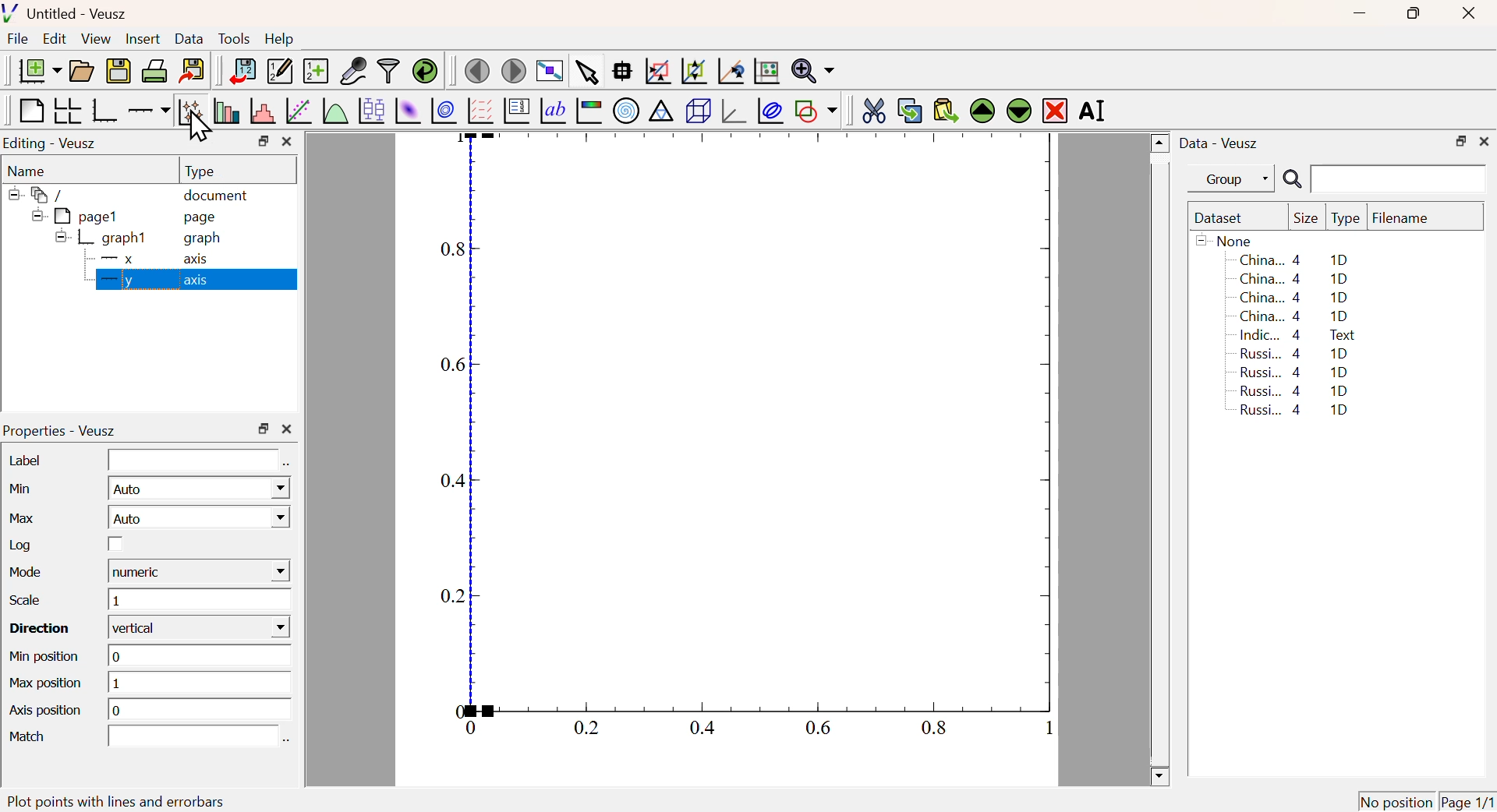  What do you see at coordinates (735, 112) in the screenshot?
I see `3D graph` at bounding box center [735, 112].